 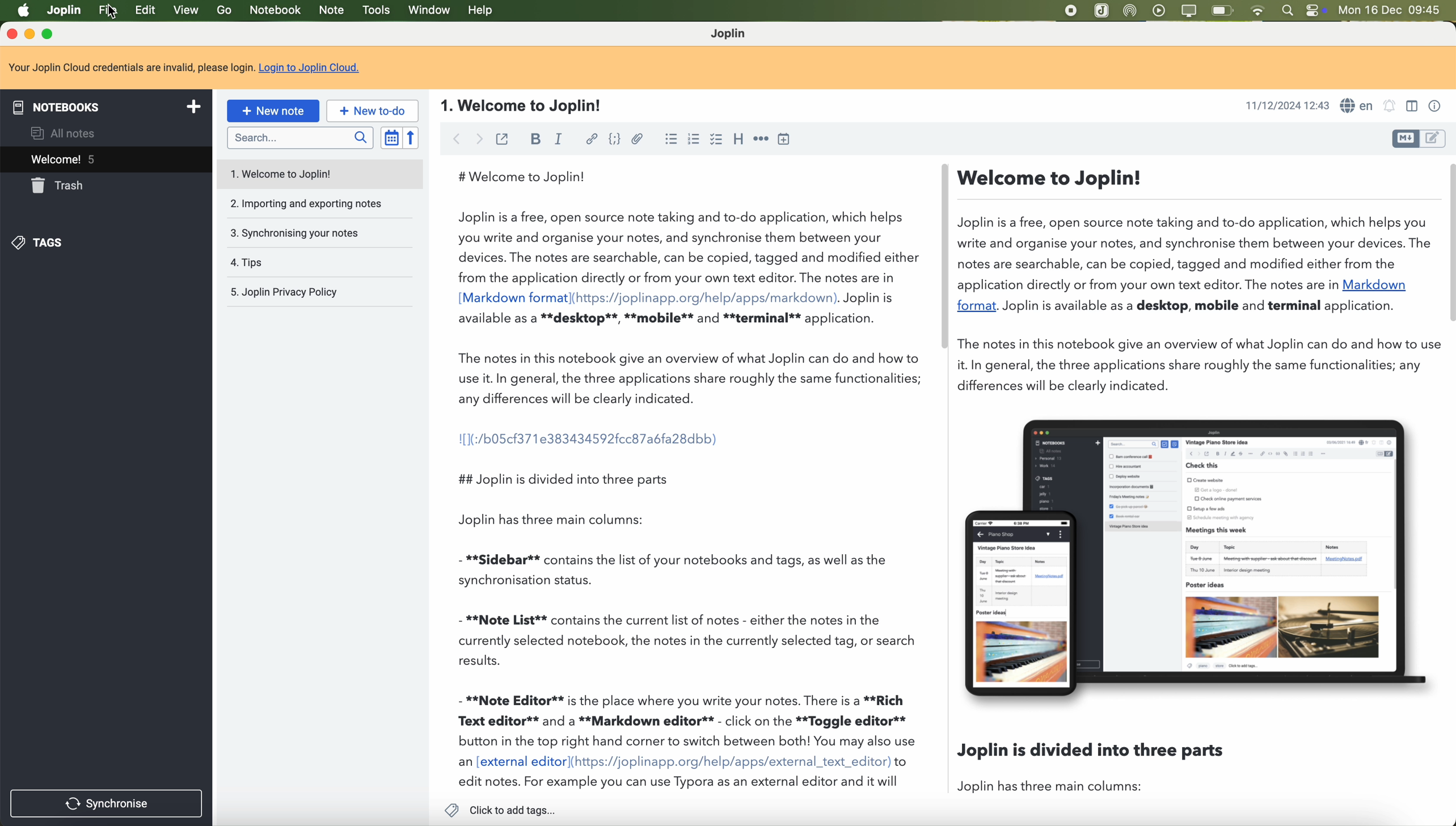 What do you see at coordinates (10, 34) in the screenshot?
I see ` close program` at bounding box center [10, 34].